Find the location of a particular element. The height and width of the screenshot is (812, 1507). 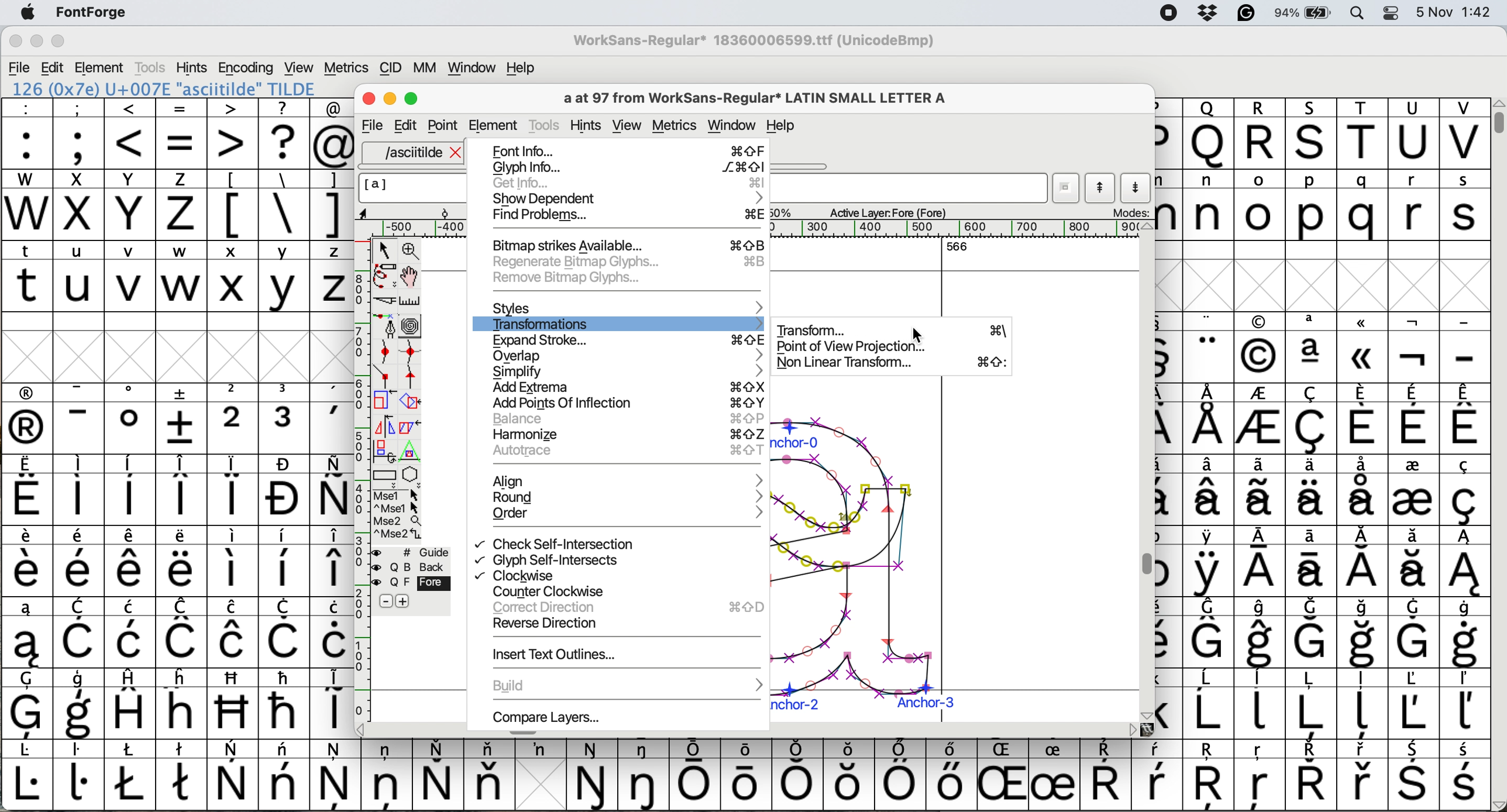

remove is located at coordinates (386, 602).